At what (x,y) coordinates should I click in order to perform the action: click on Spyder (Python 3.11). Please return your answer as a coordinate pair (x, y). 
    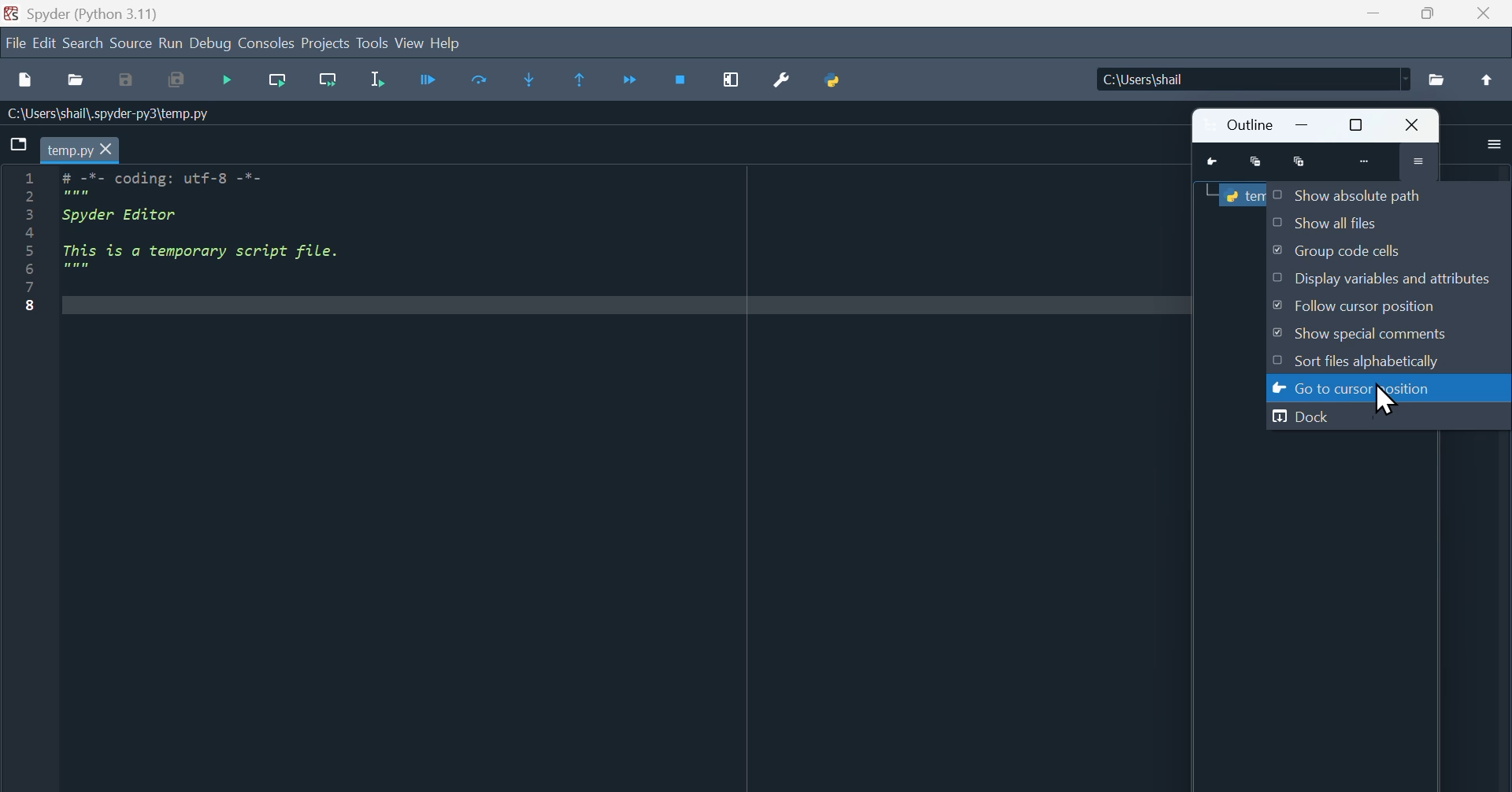
    Looking at the image, I should click on (99, 13).